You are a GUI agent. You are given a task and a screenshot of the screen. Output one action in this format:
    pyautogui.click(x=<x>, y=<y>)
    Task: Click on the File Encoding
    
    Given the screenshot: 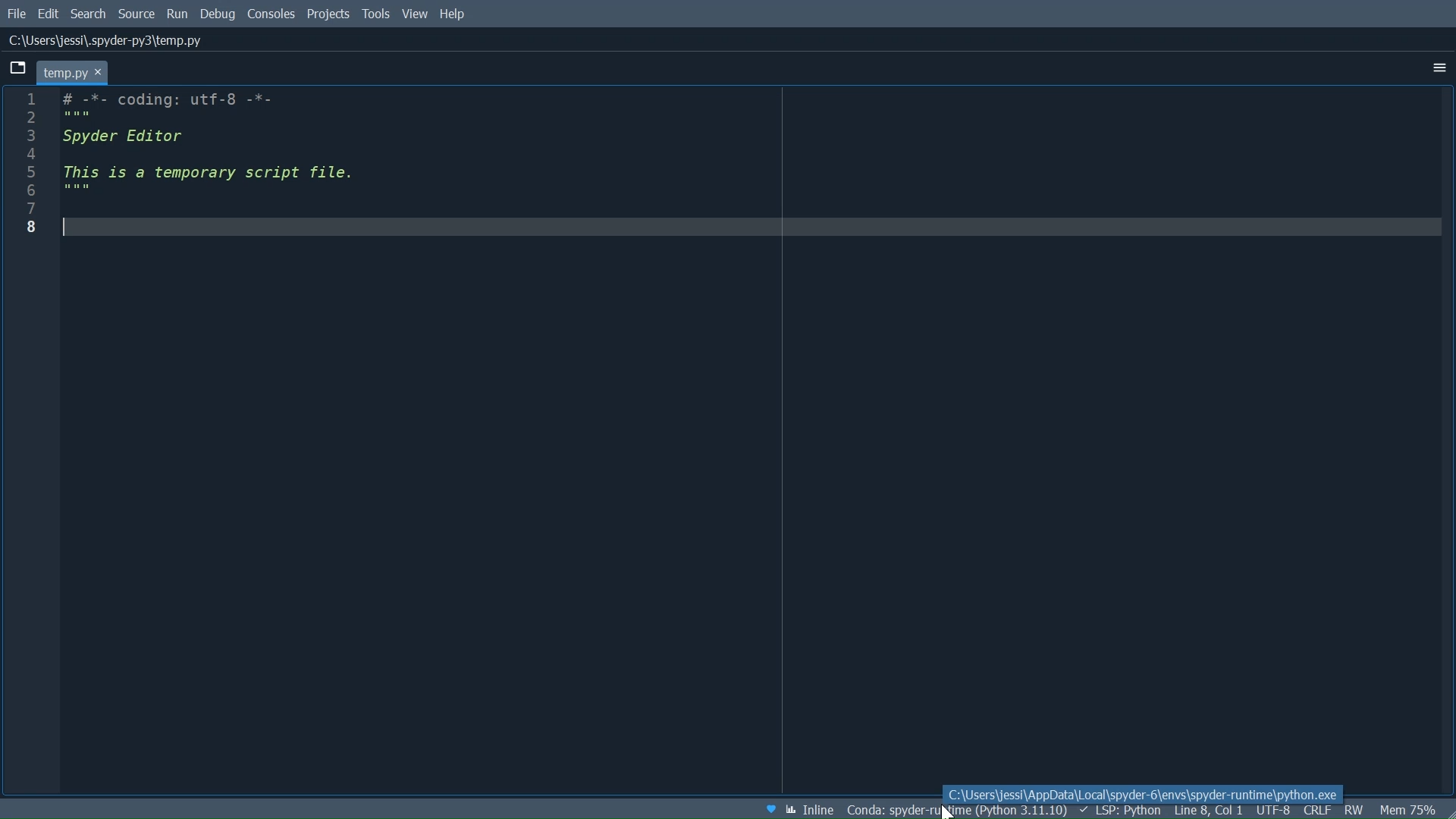 What is the action you would take?
    pyautogui.click(x=1272, y=810)
    